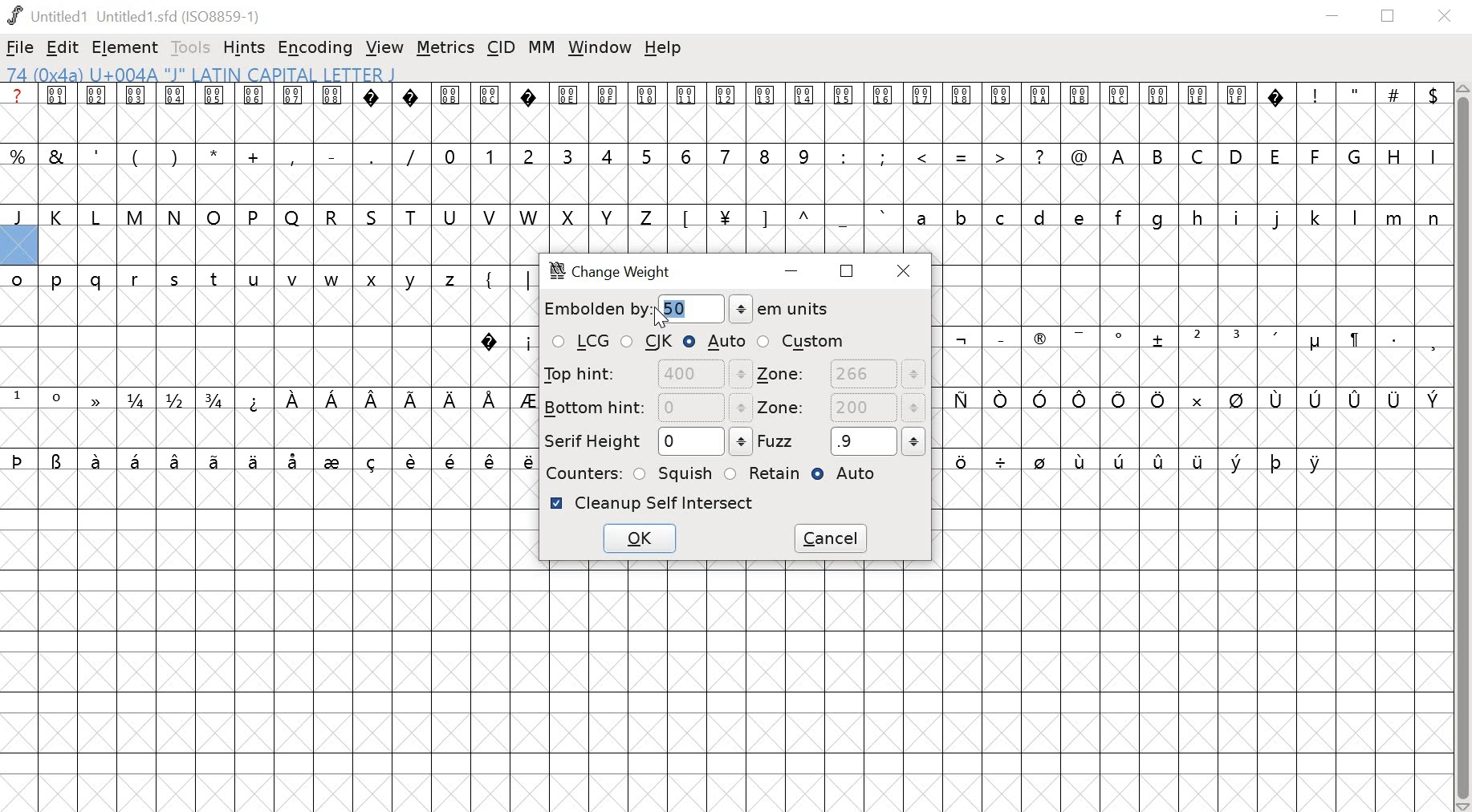  I want to click on CJK, so click(649, 343).